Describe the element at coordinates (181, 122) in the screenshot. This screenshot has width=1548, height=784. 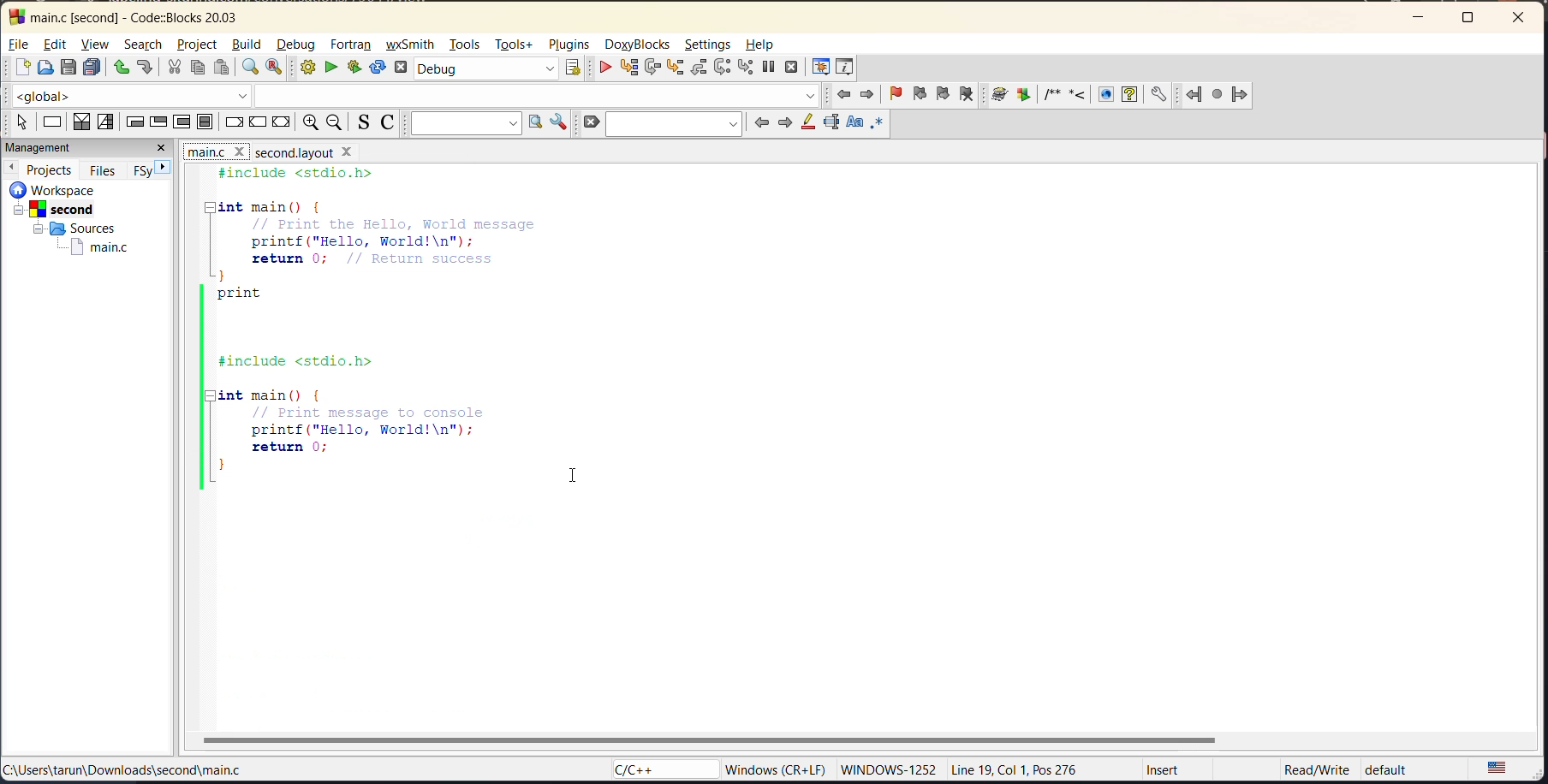
I see `counting loop` at that location.